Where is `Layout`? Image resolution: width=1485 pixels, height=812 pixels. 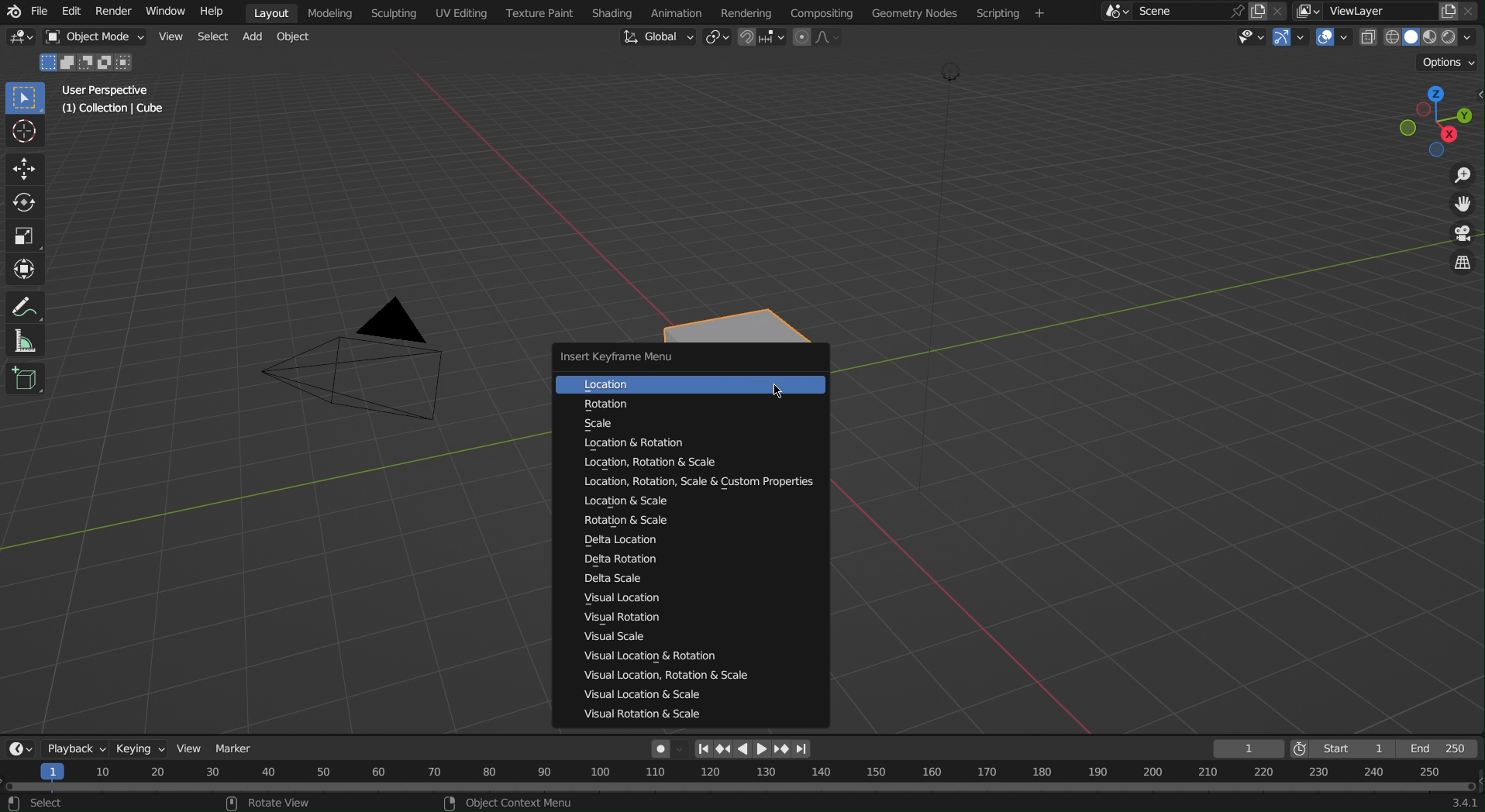 Layout is located at coordinates (267, 11).